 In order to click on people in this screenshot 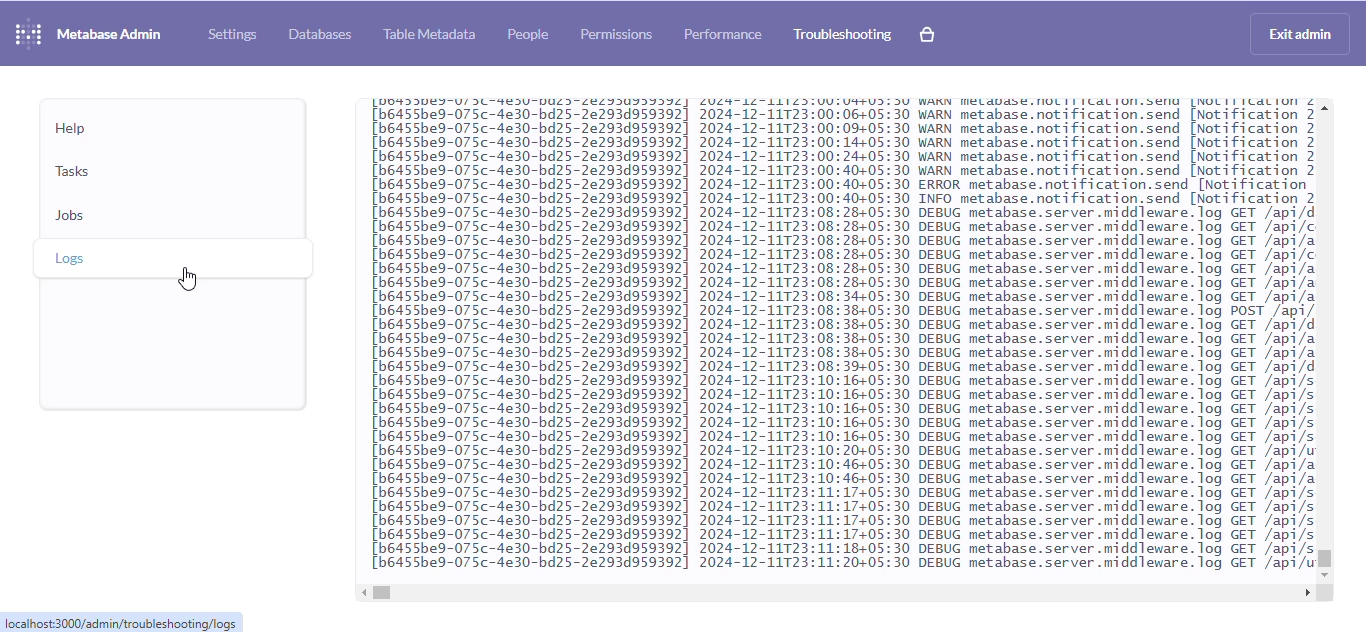, I will do `click(528, 34)`.